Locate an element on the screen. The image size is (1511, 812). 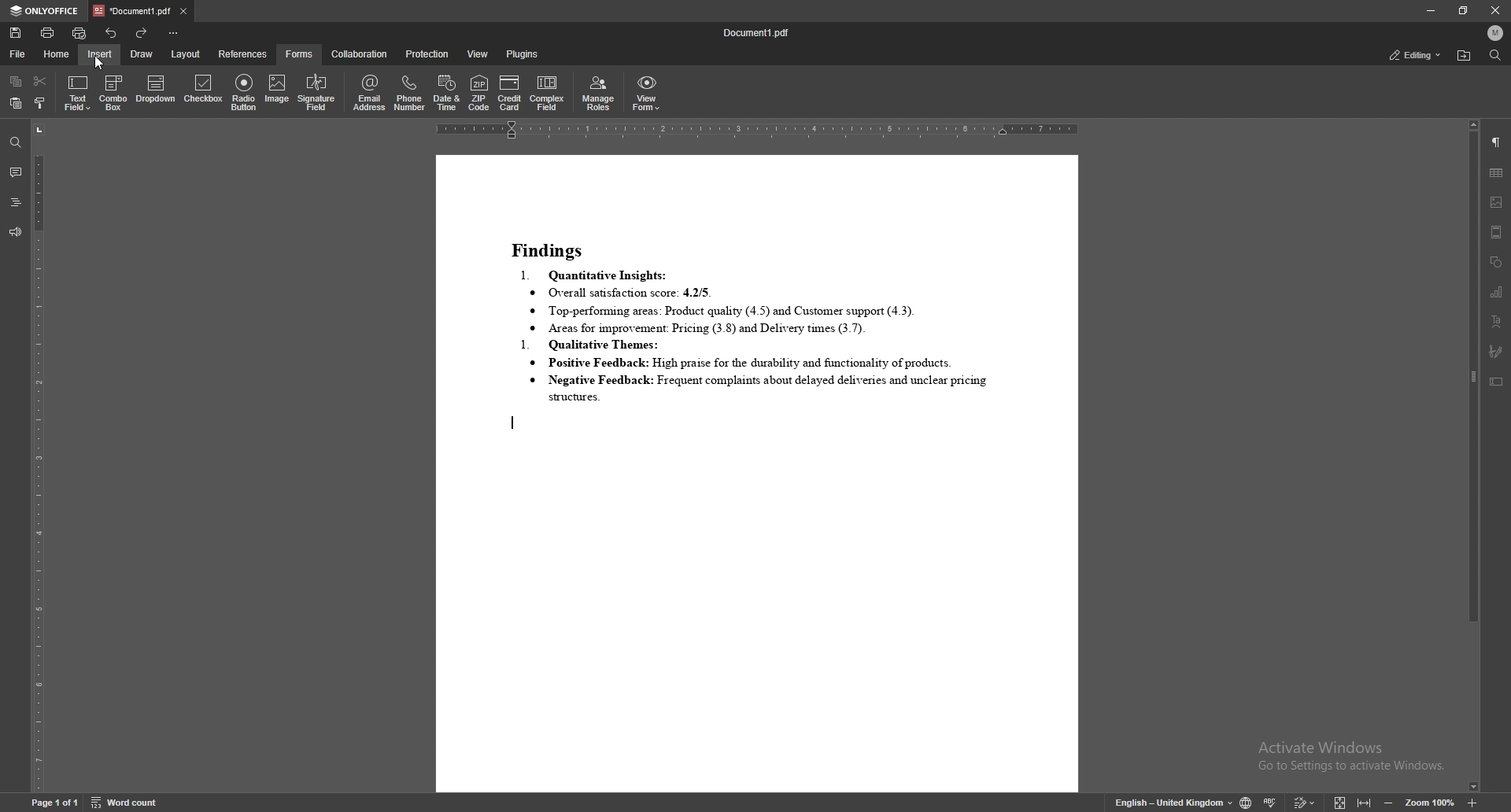
cursor is located at coordinates (103, 61).